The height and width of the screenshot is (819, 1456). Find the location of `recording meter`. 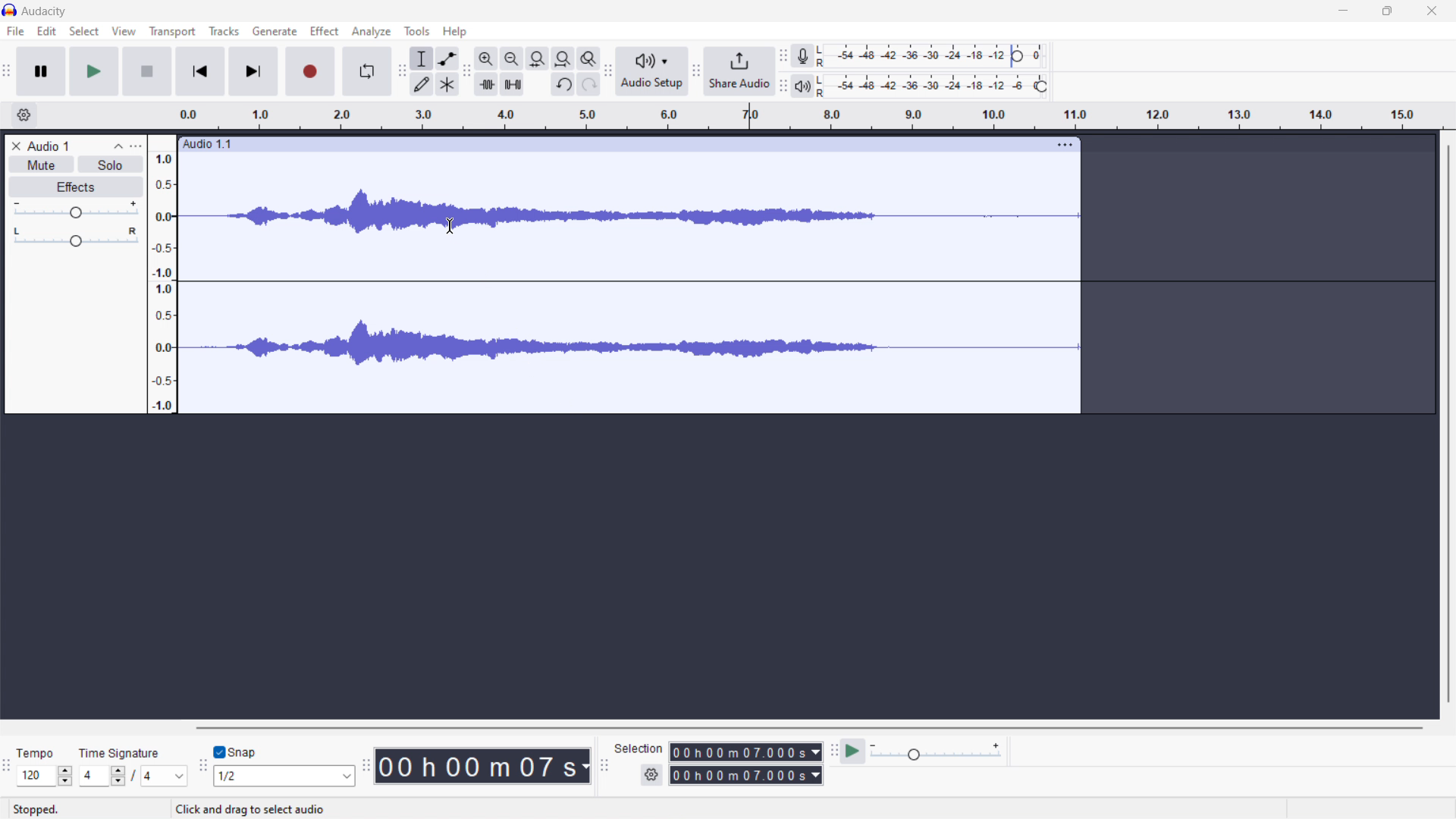

recording meter is located at coordinates (803, 56).